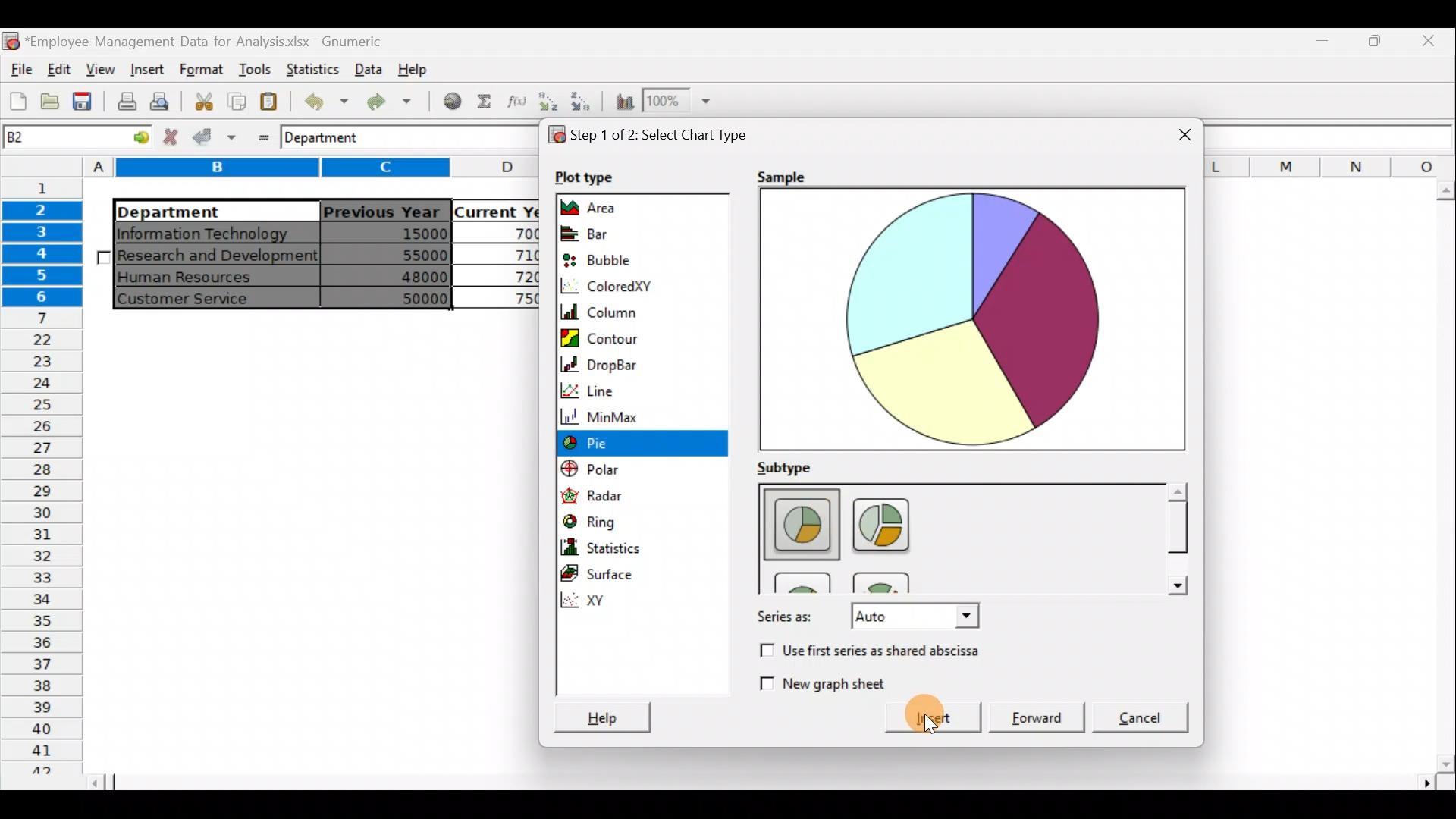 The height and width of the screenshot is (819, 1456). Describe the element at coordinates (394, 102) in the screenshot. I see `Redo undone action` at that location.